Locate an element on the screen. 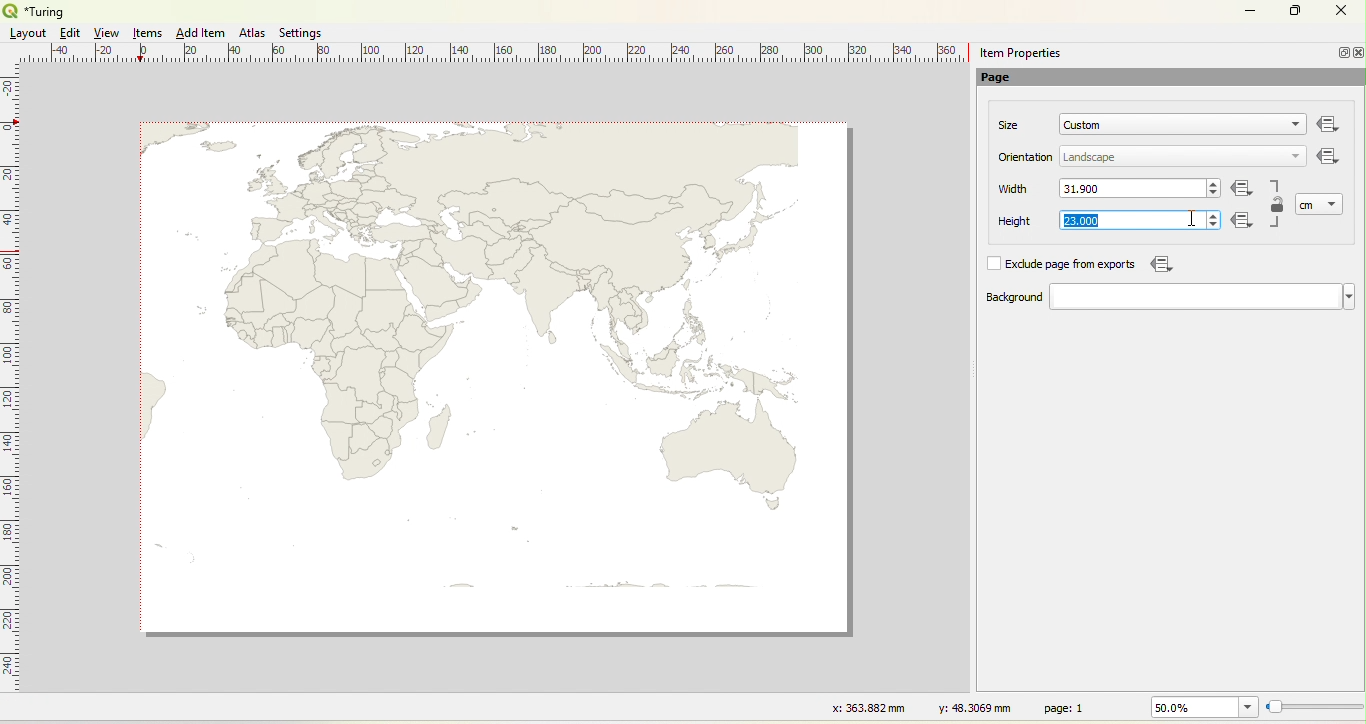  Layout is located at coordinates (28, 33).